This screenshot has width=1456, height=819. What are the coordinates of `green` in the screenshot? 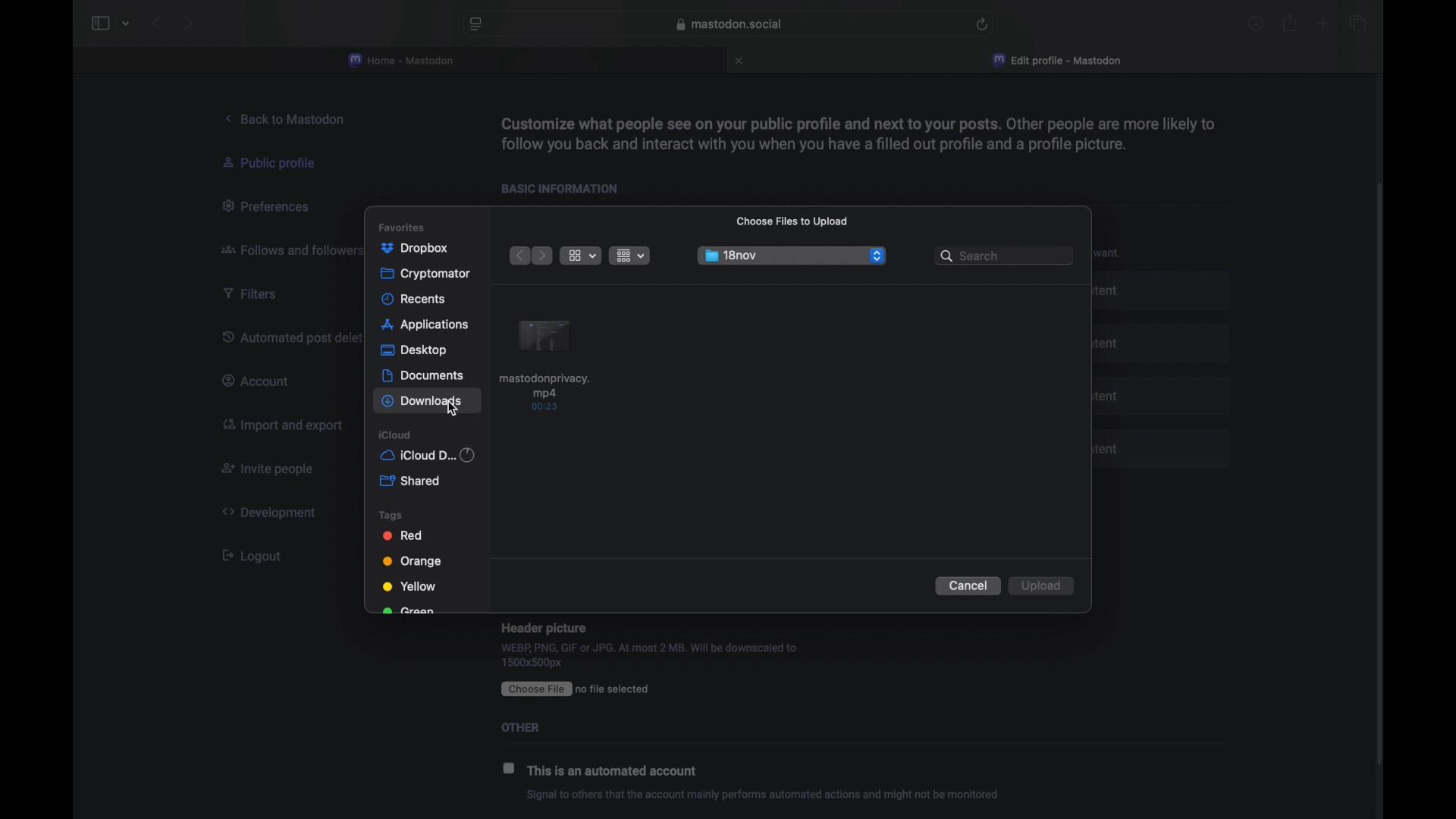 It's located at (408, 611).